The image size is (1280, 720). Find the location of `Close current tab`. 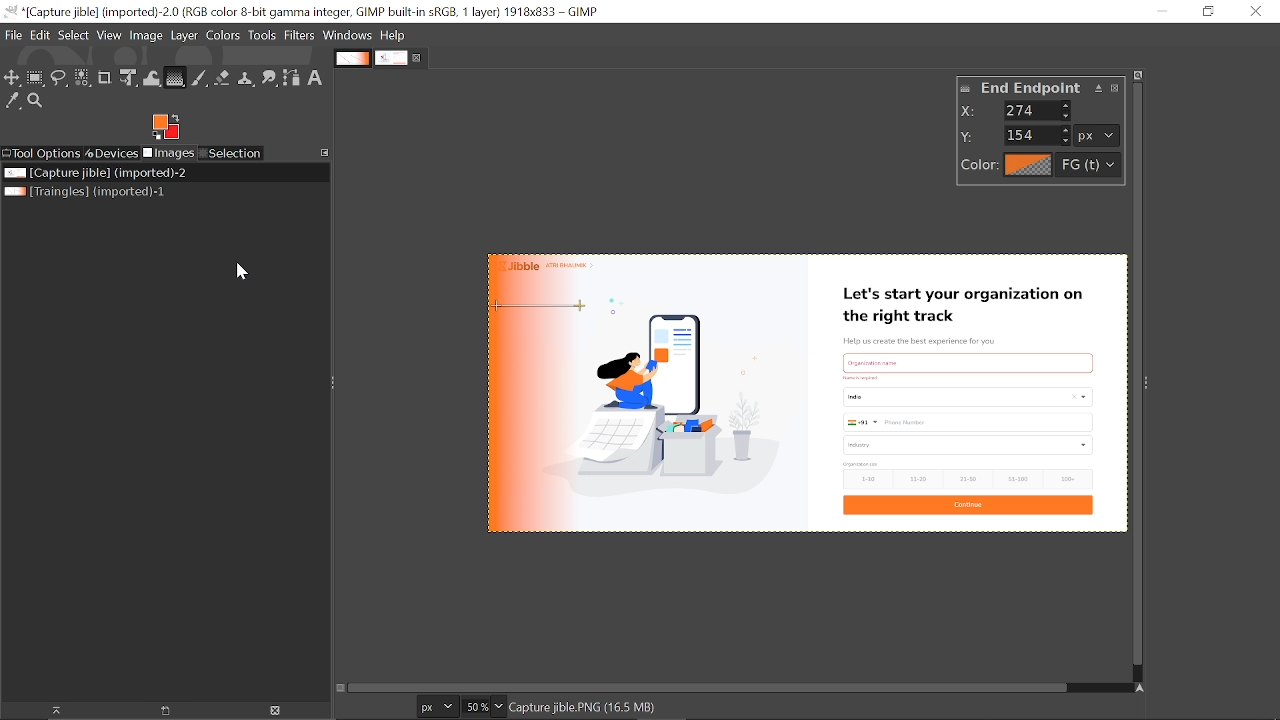

Close current tab is located at coordinates (418, 56).